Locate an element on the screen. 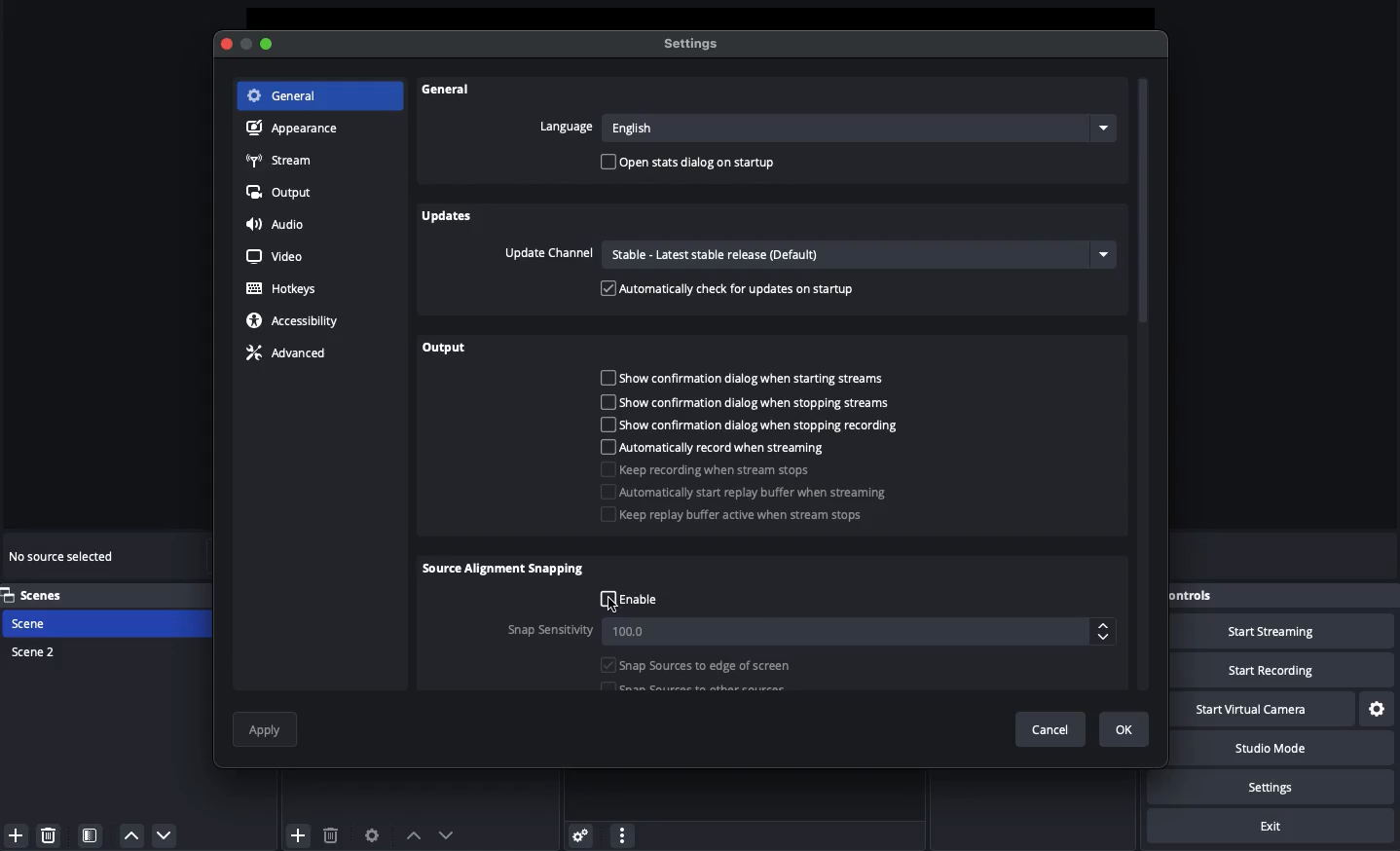  General is located at coordinates (286, 95).